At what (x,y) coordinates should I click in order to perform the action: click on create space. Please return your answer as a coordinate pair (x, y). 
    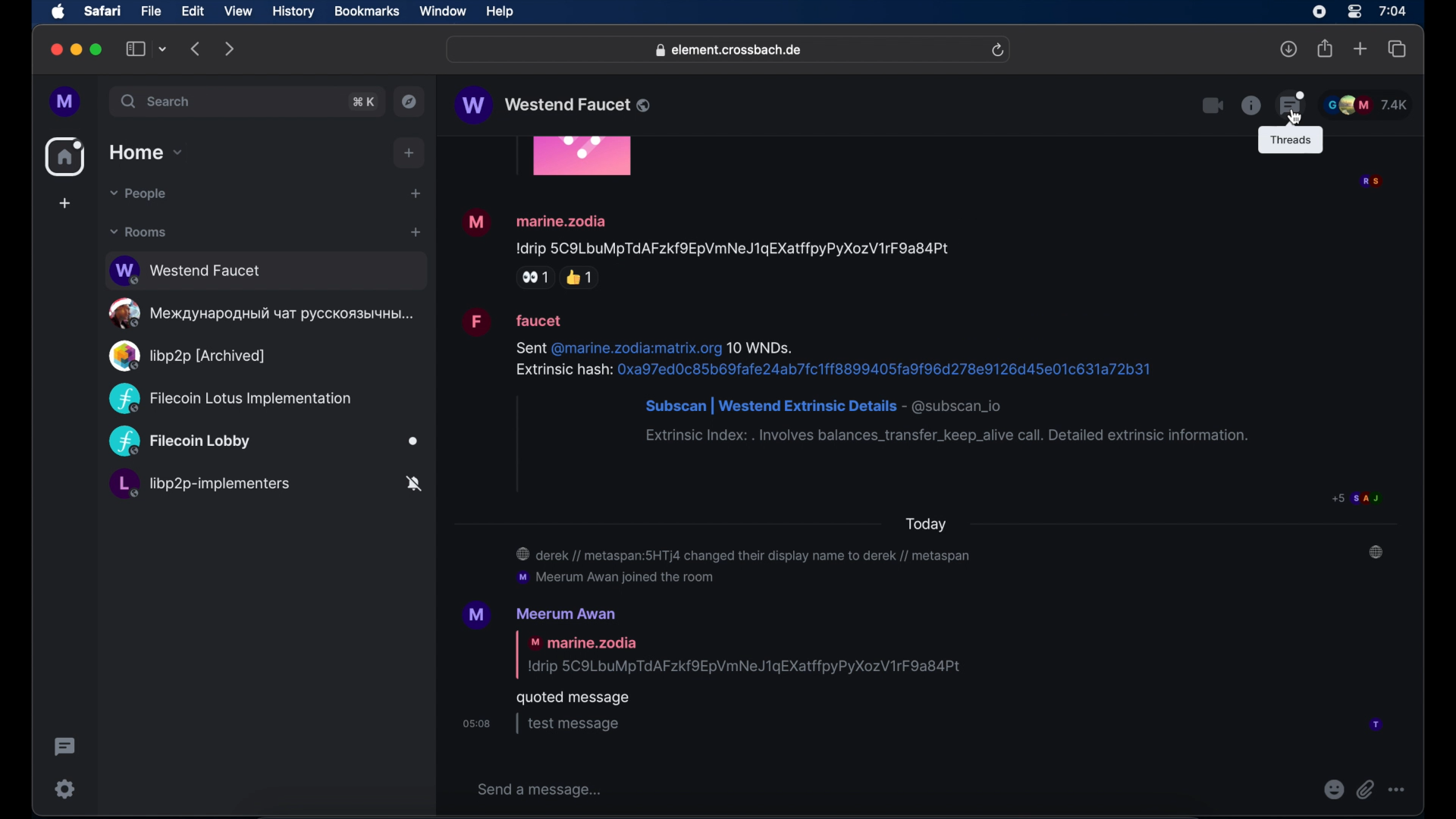
    Looking at the image, I should click on (65, 203).